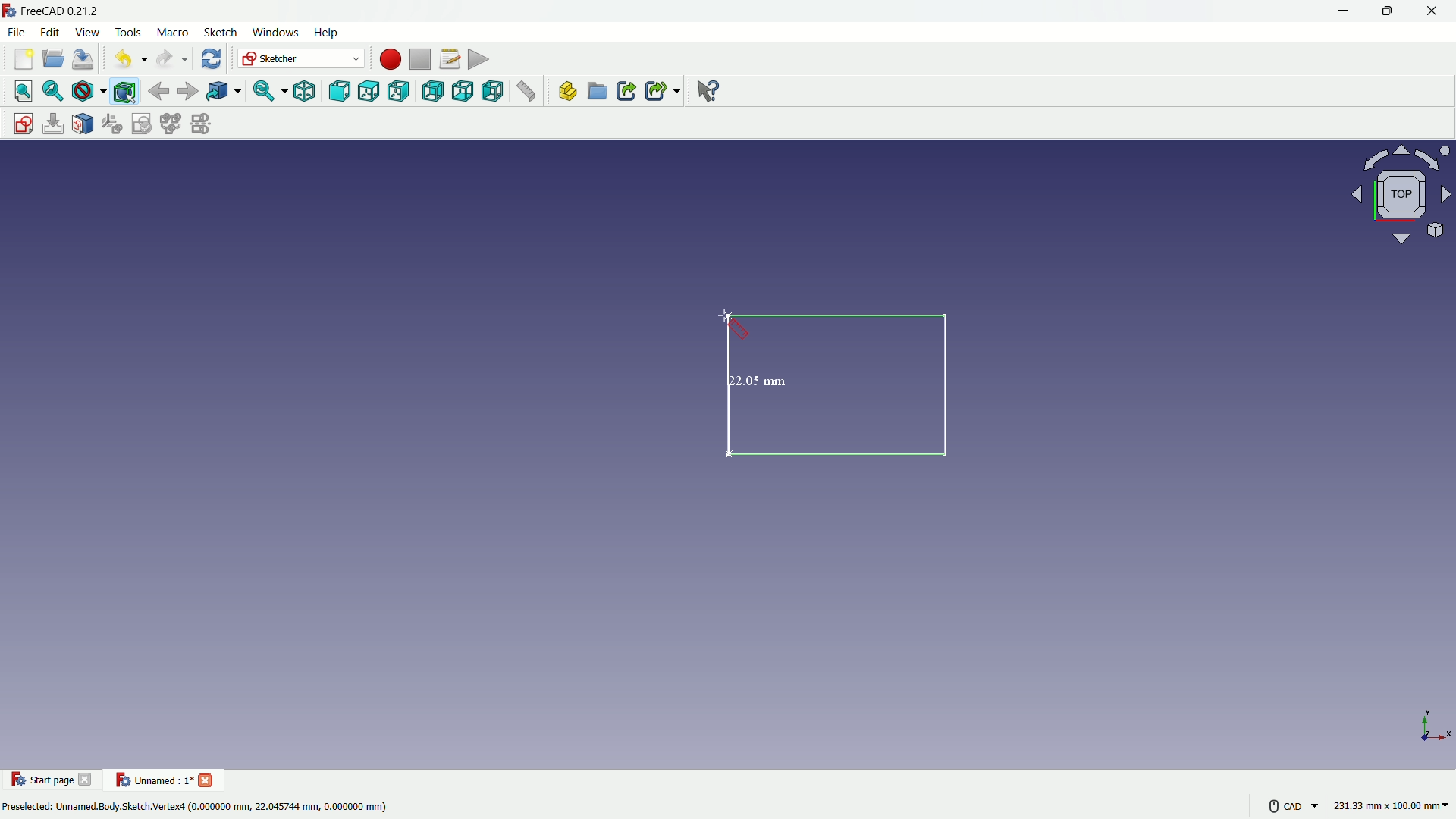 The image size is (1456, 819). Describe the element at coordinates (9, 11) in the screenshot. I see `FreeCAD logo` at that location.